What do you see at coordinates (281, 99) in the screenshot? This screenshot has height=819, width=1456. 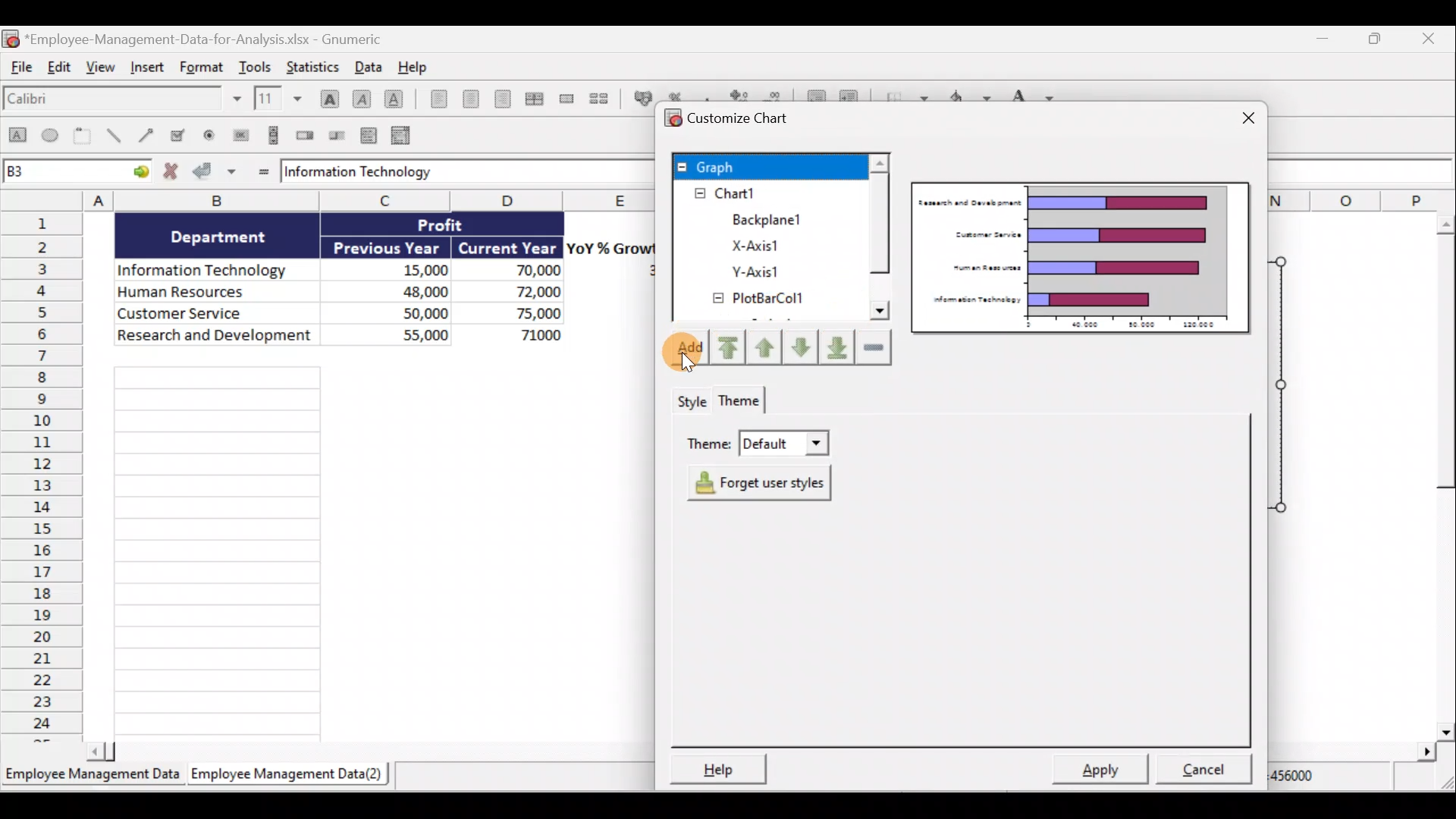 I see `Font size` at bounding box center [281, 99].